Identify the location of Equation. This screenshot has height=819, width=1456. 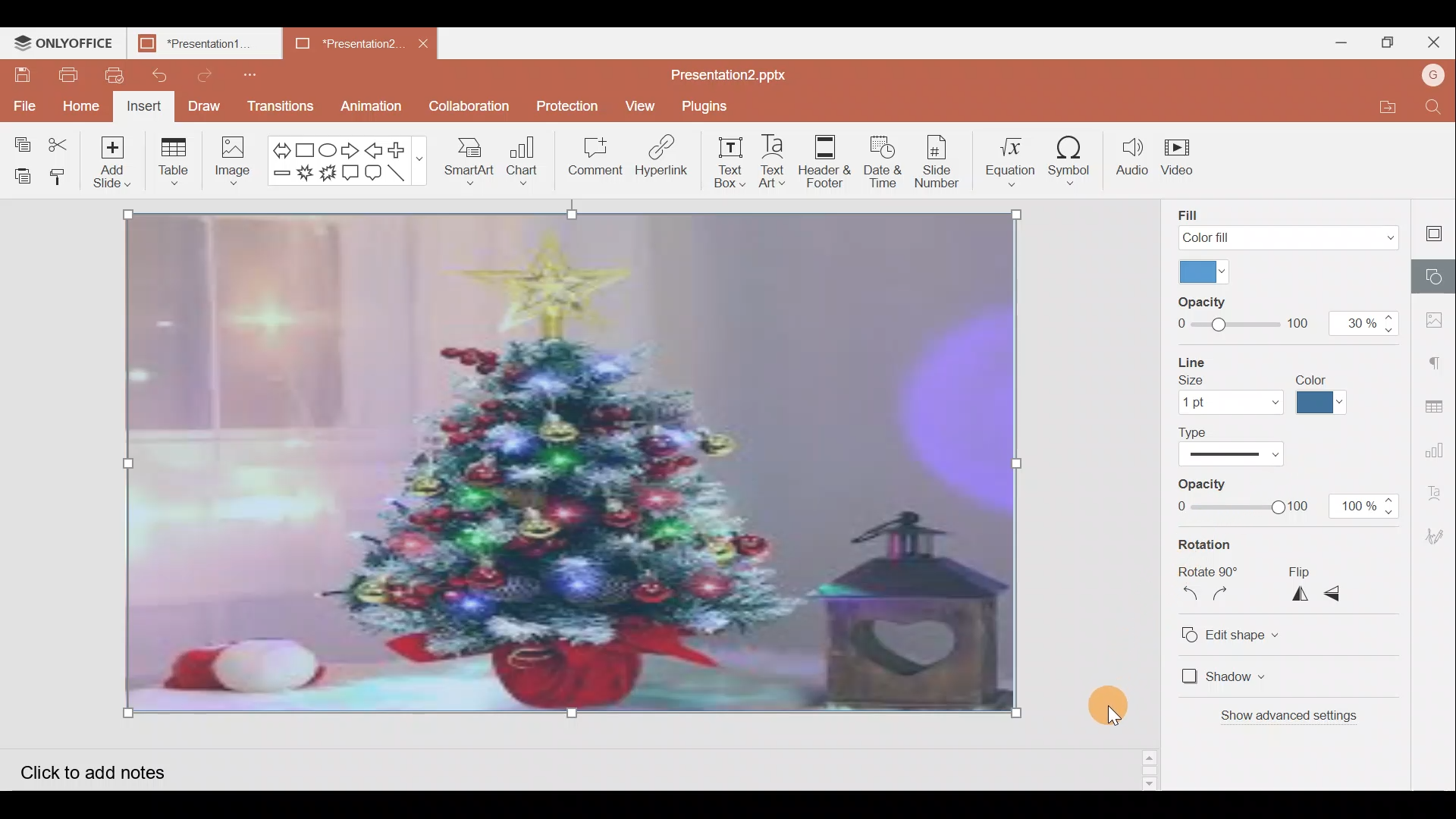
(1010, 158).